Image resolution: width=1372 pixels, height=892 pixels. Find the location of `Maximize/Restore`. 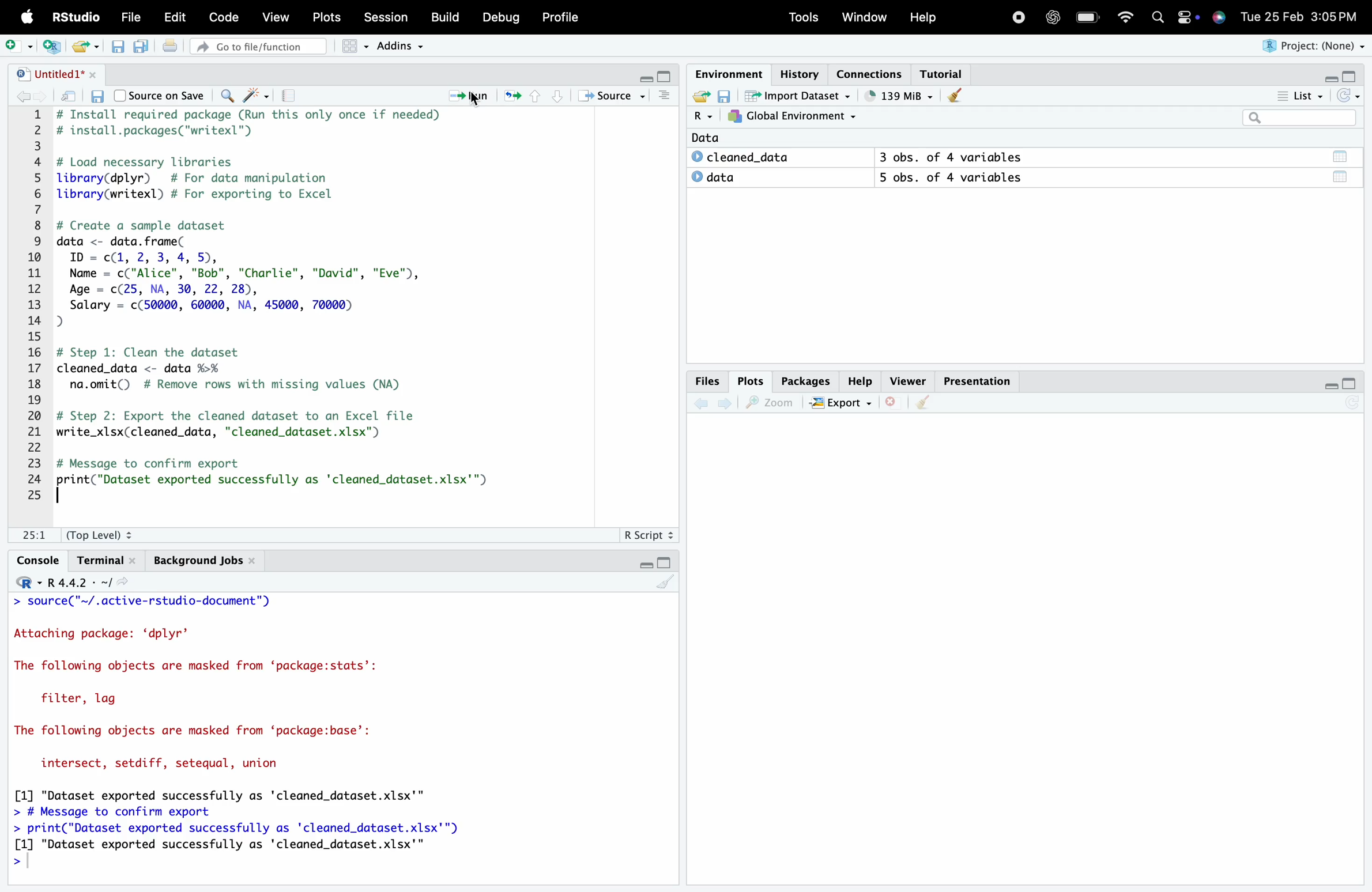

Maximize/Restore is located at coordinates (669, 78).